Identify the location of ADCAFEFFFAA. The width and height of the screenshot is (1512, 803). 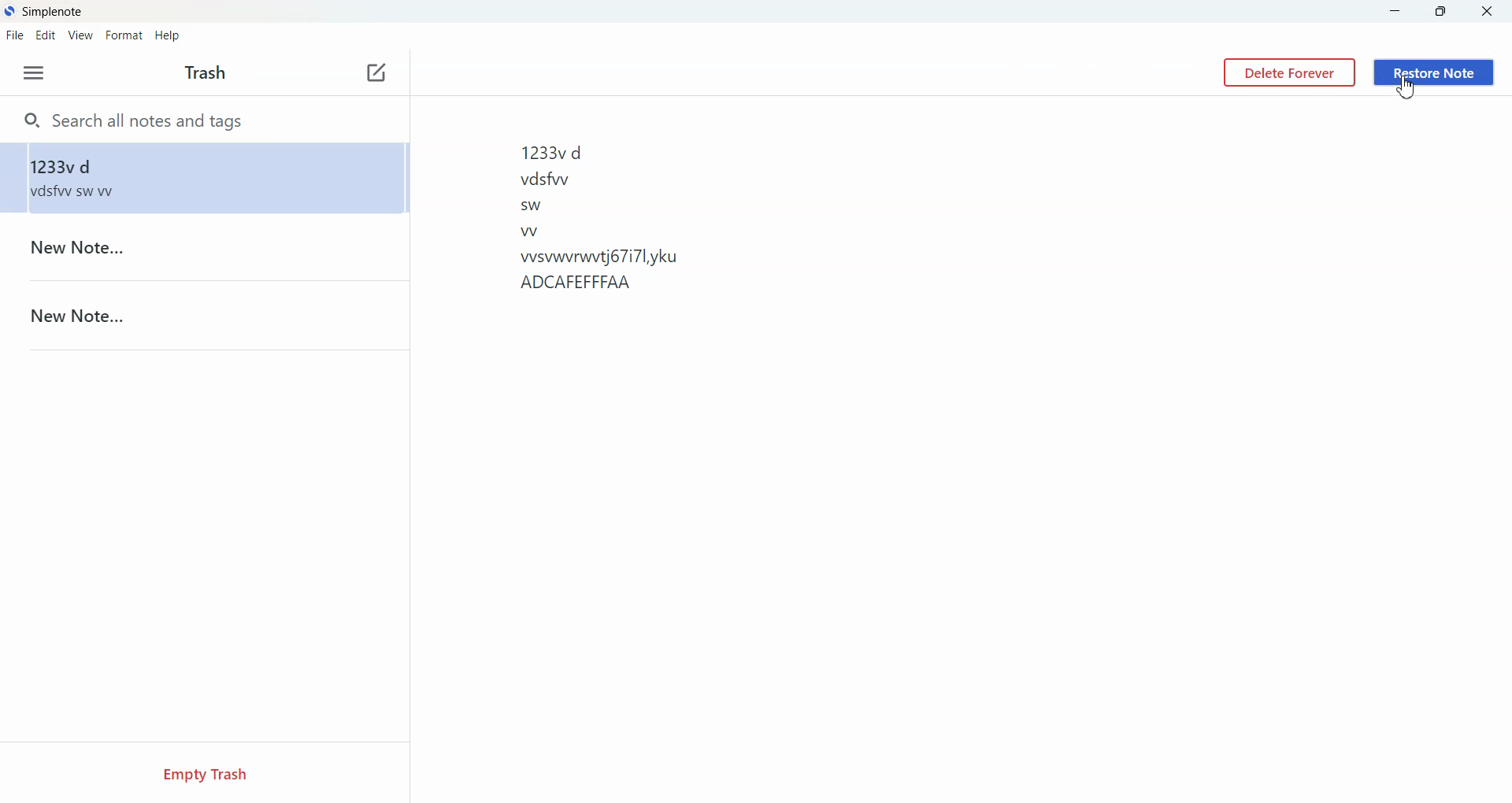
(598, 284).